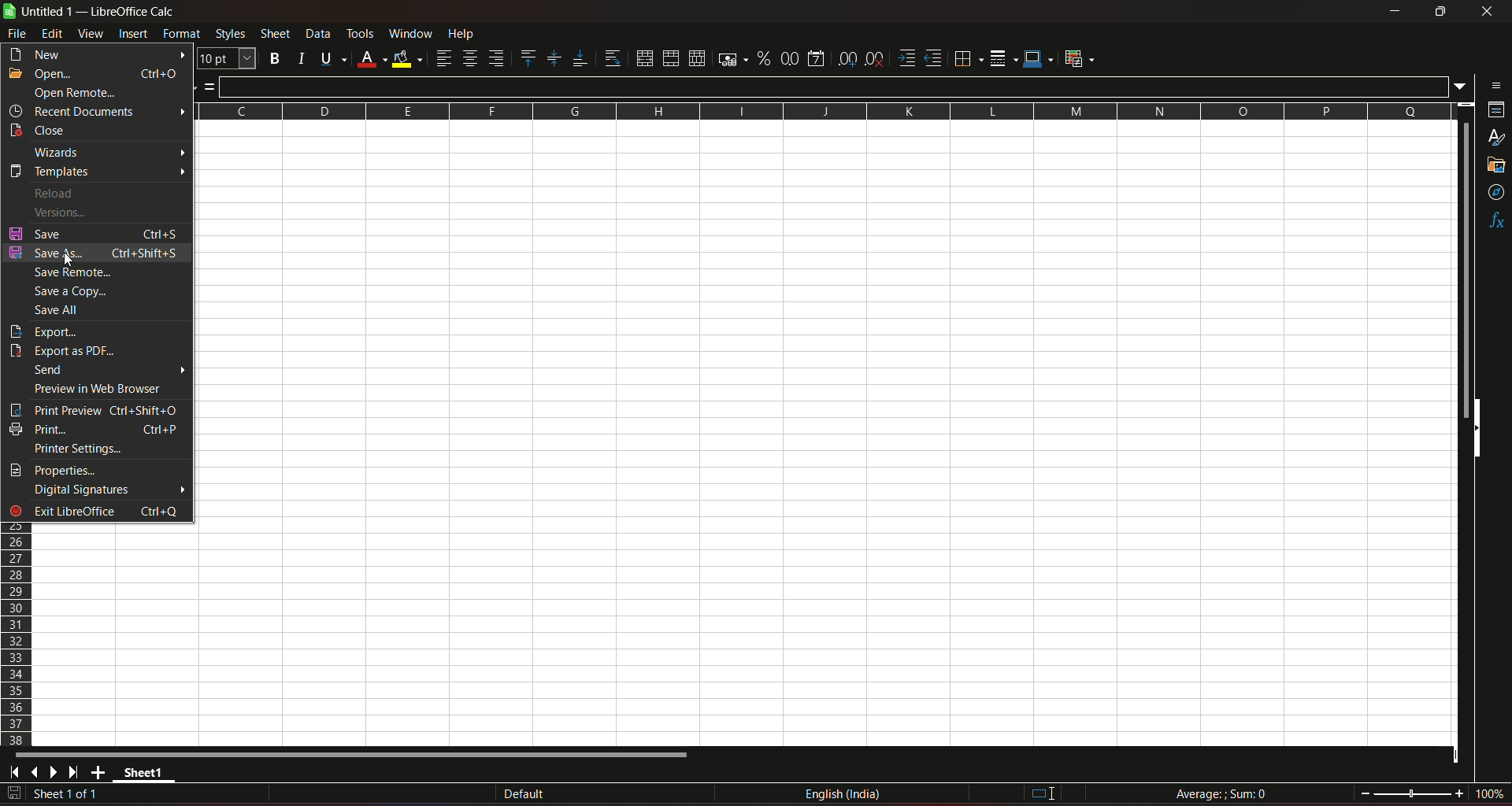 The height and width of the screenshot is (806, 1512). I want to click on Sheet, so click(274, 34).